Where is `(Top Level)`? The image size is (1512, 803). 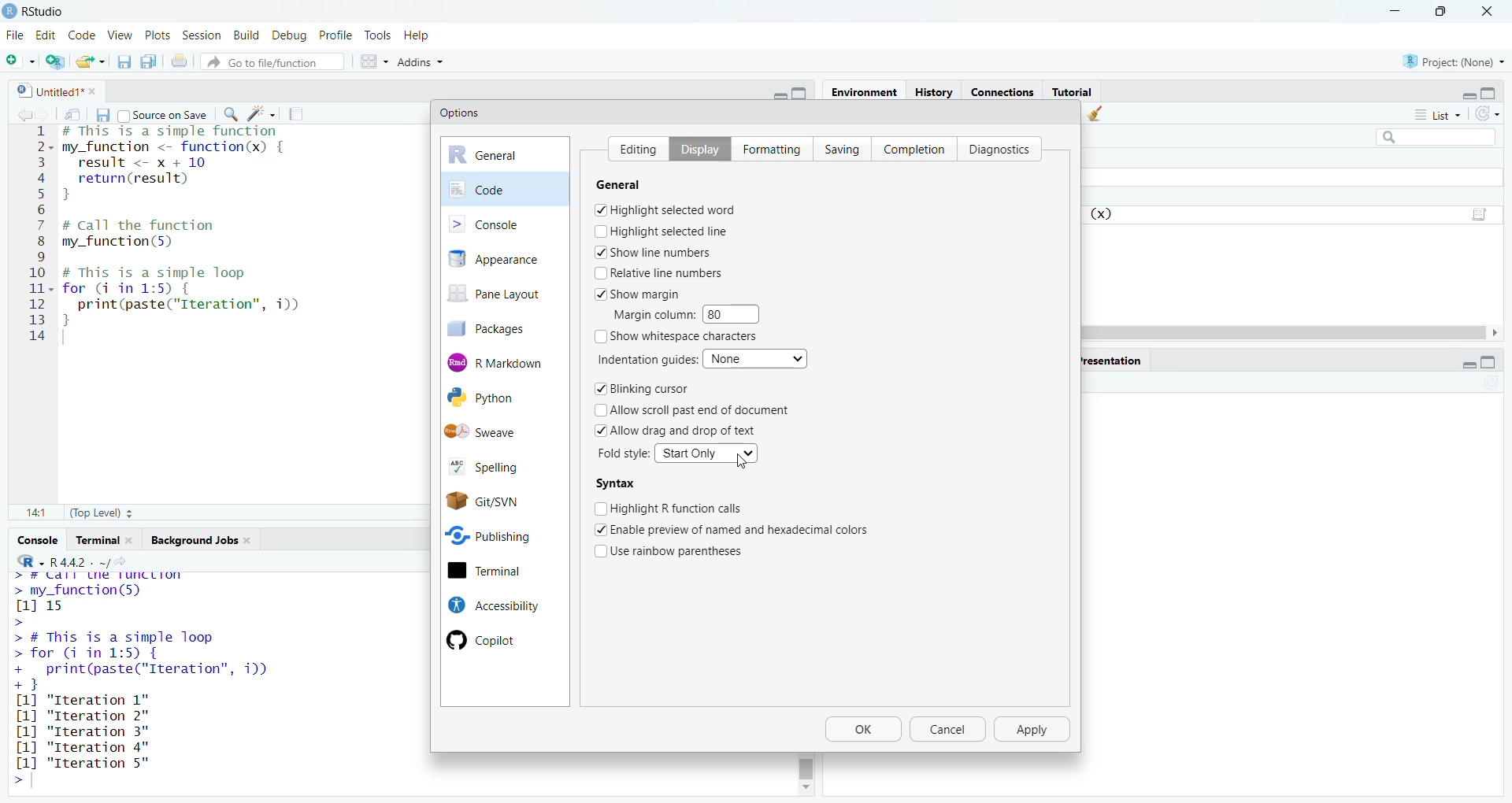
(Top Level) is located at coordinates (99, 515).